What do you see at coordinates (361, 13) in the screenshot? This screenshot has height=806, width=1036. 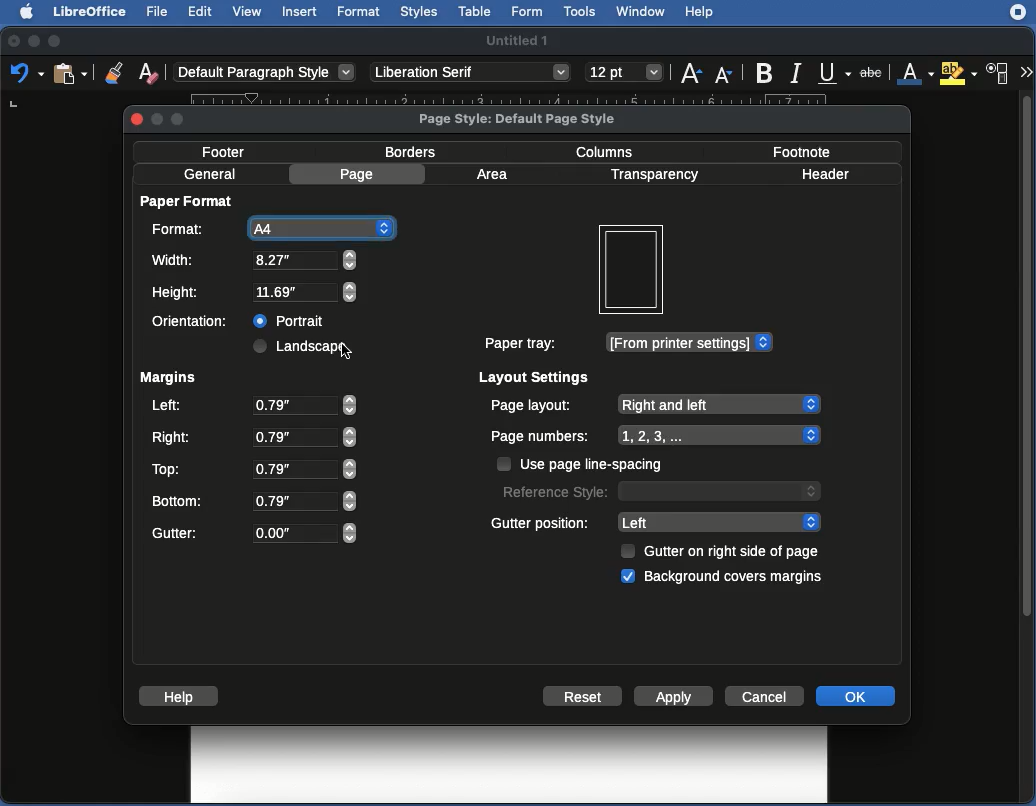 I see `Format` at bounding box center [361, 13].